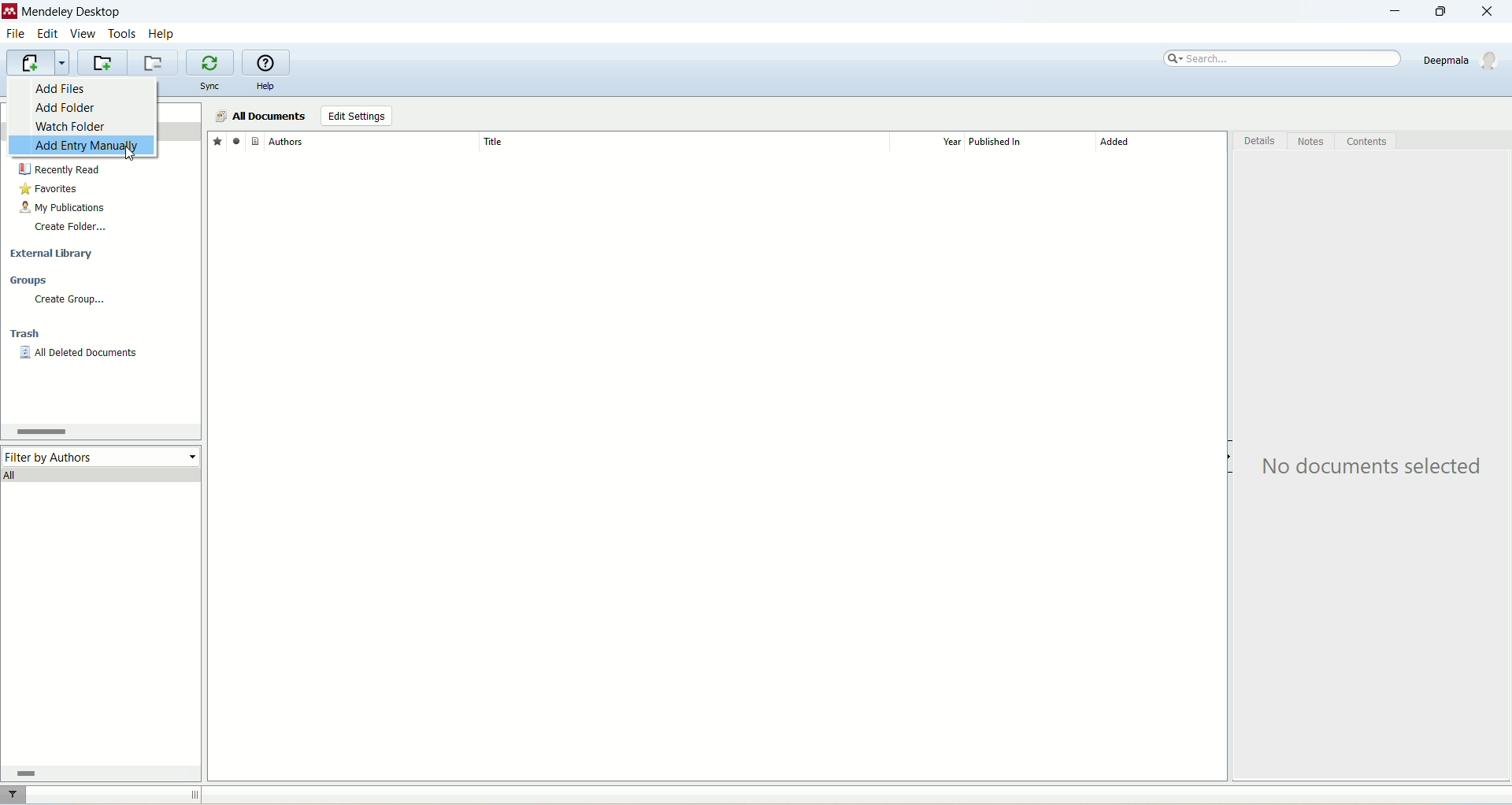 The height and width of the screenshot is (805, 1512). I want to click on filter by author, so click(102, 453).